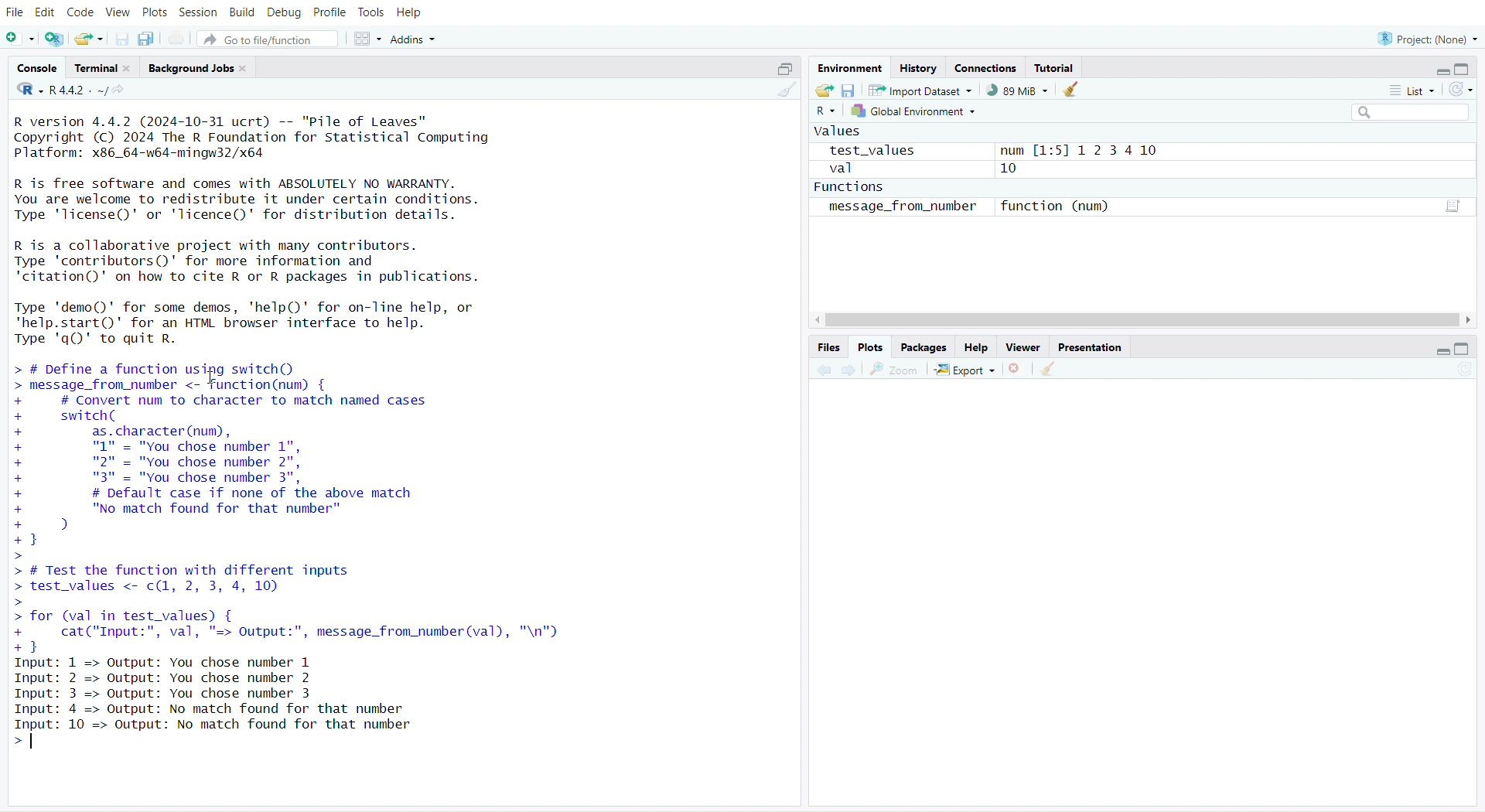 The image size is (1485, 812). What do you see at coordinates (1465, 350) in the screenshot?
I see `Maximize` at bounding box center [1465, 350].